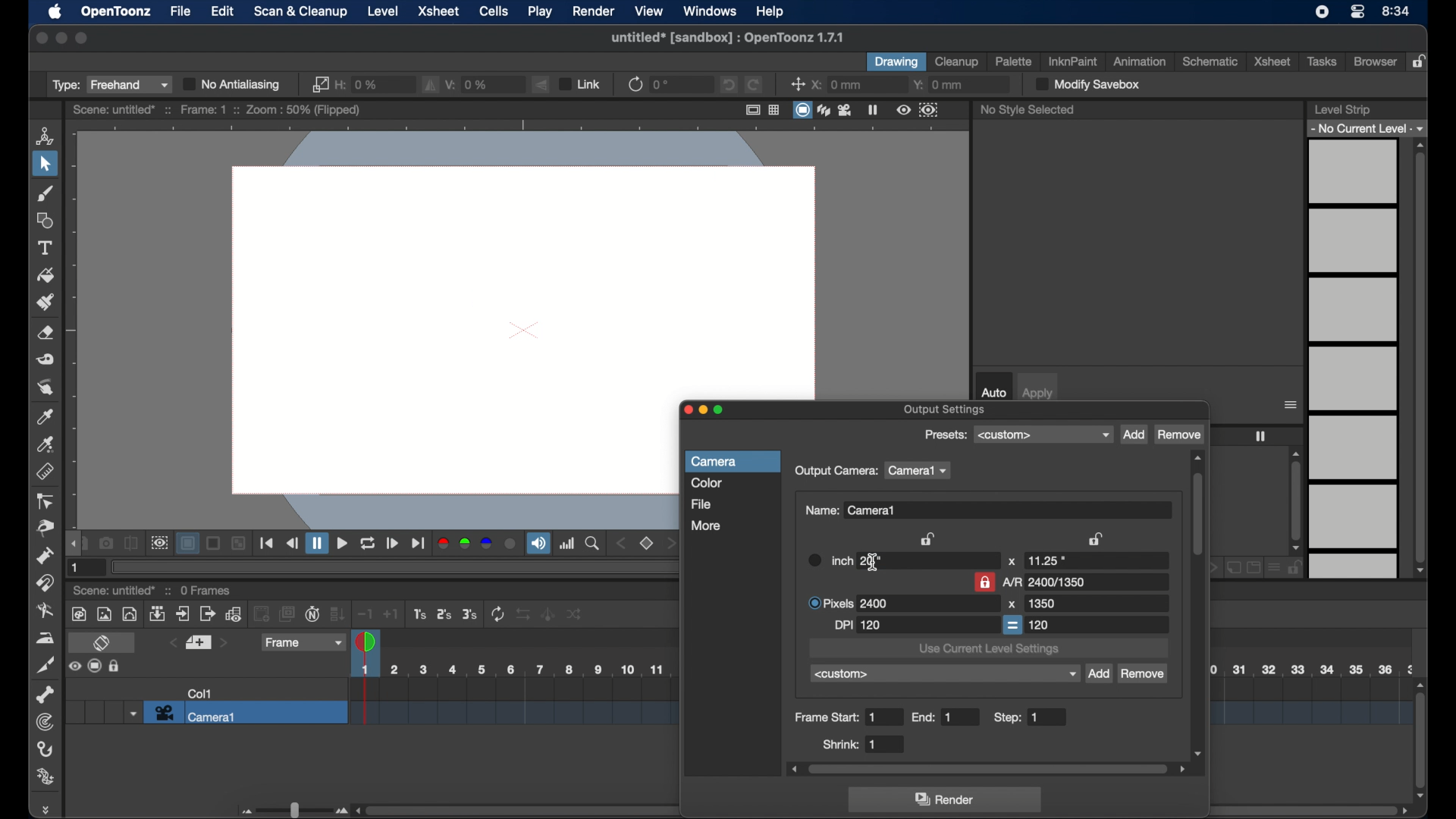  Describe the element at coordinates (46, 359) in the screenshot. I see `tape tool` at that location.